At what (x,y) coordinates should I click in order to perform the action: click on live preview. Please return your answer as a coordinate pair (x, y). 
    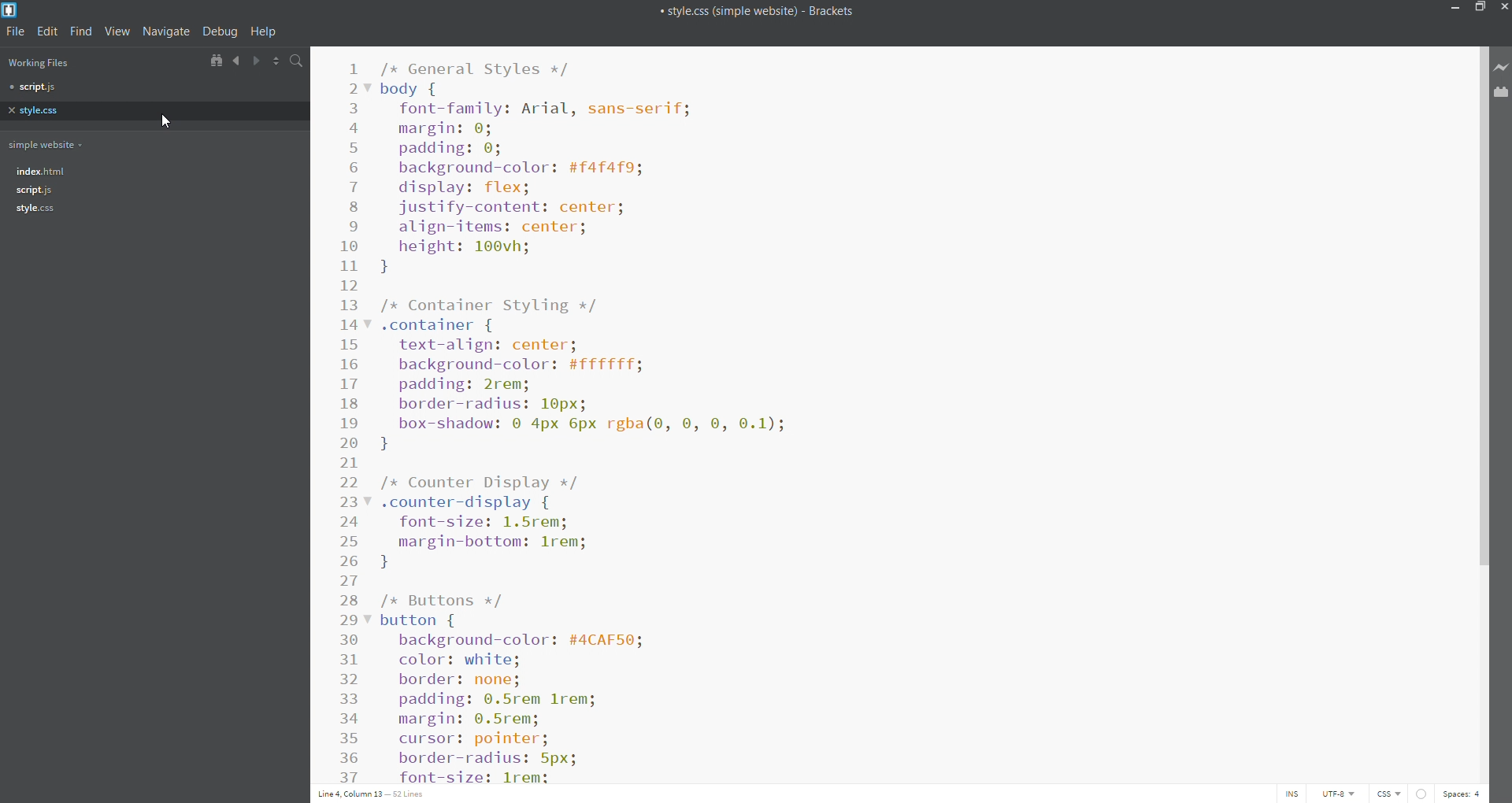
    Looking at the image, I should click on (1502, 69).